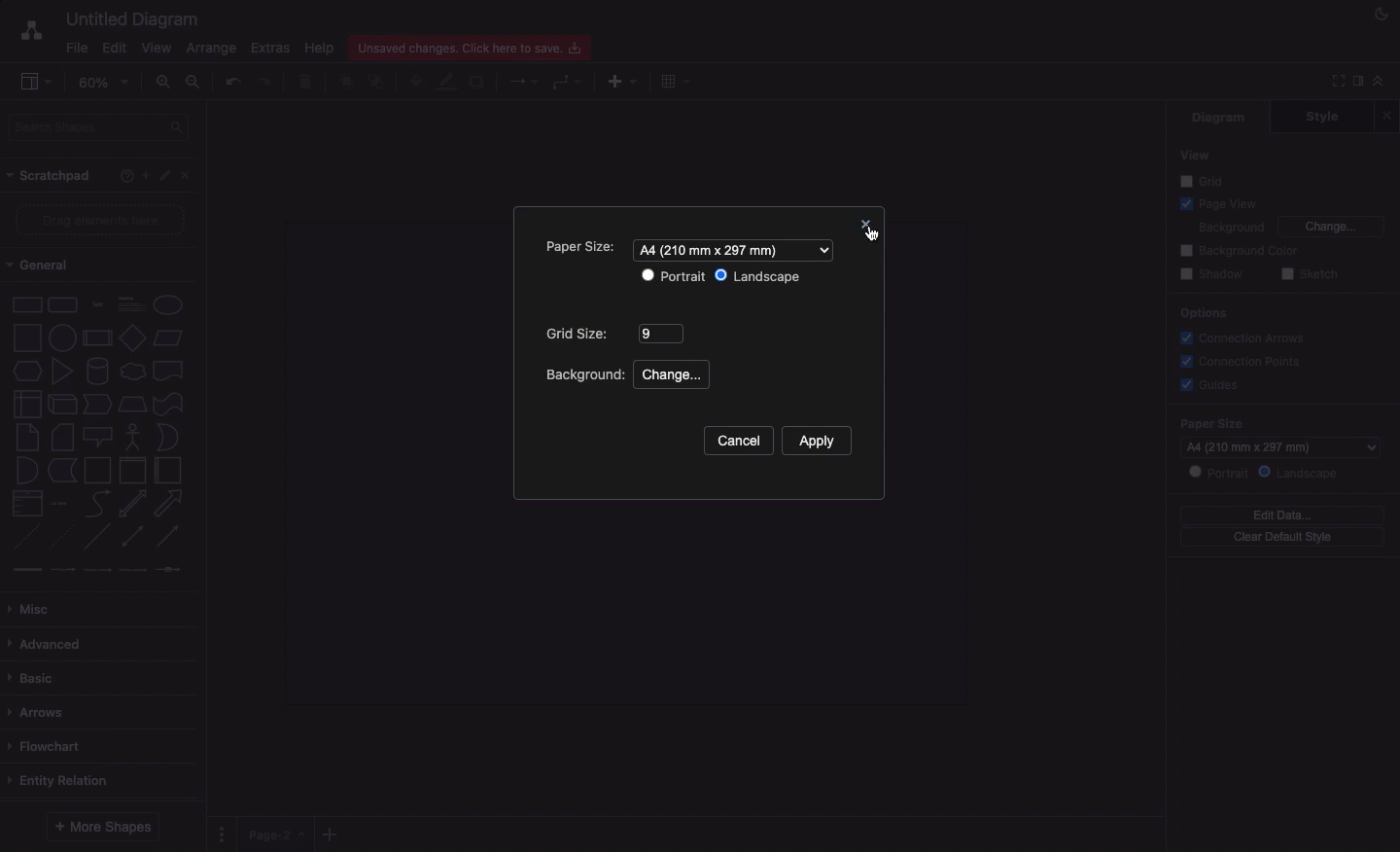 The image size is (1400, 852). Describe the element at coordinates (1241, 251) in the screenshot. I see `Background color` at that location.